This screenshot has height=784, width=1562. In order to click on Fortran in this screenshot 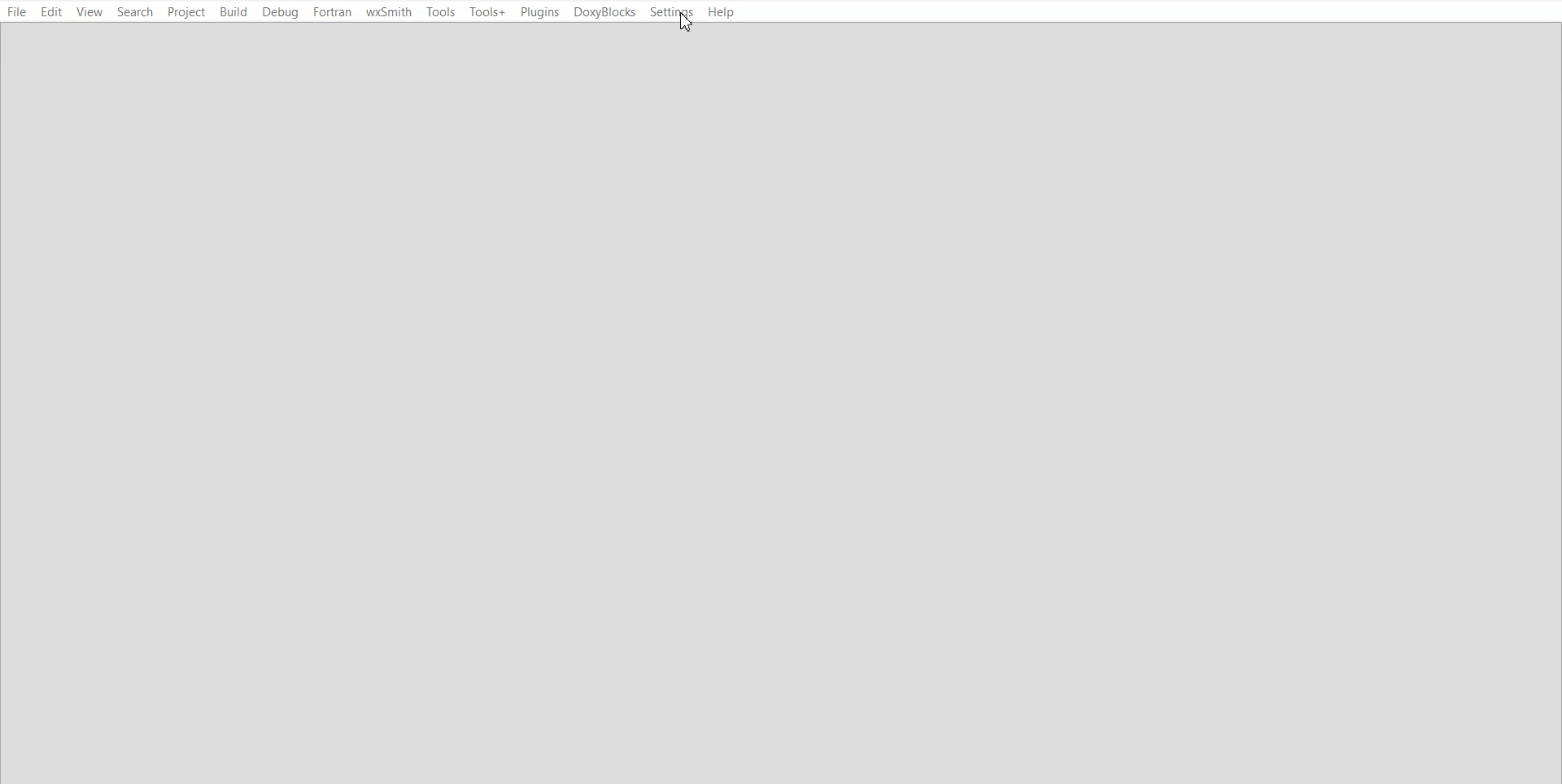, I will do `click(332, 12)`.